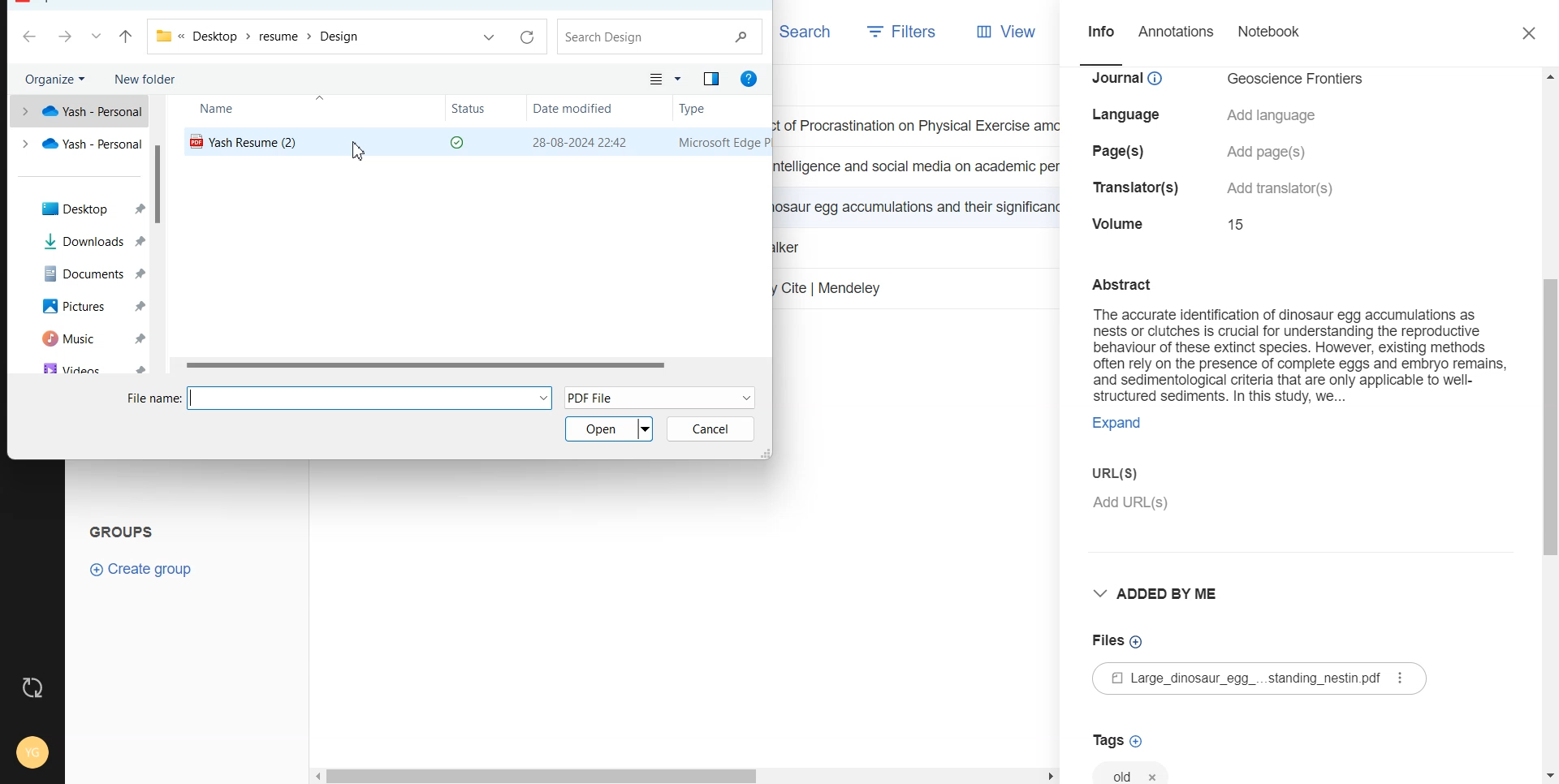 Image resolution: width=1559 pixels, height=784 pixels. What do you see at coordinates (1178, 33) in the screenshot?
I see `Annotations` at bounding box center [1178, 33].